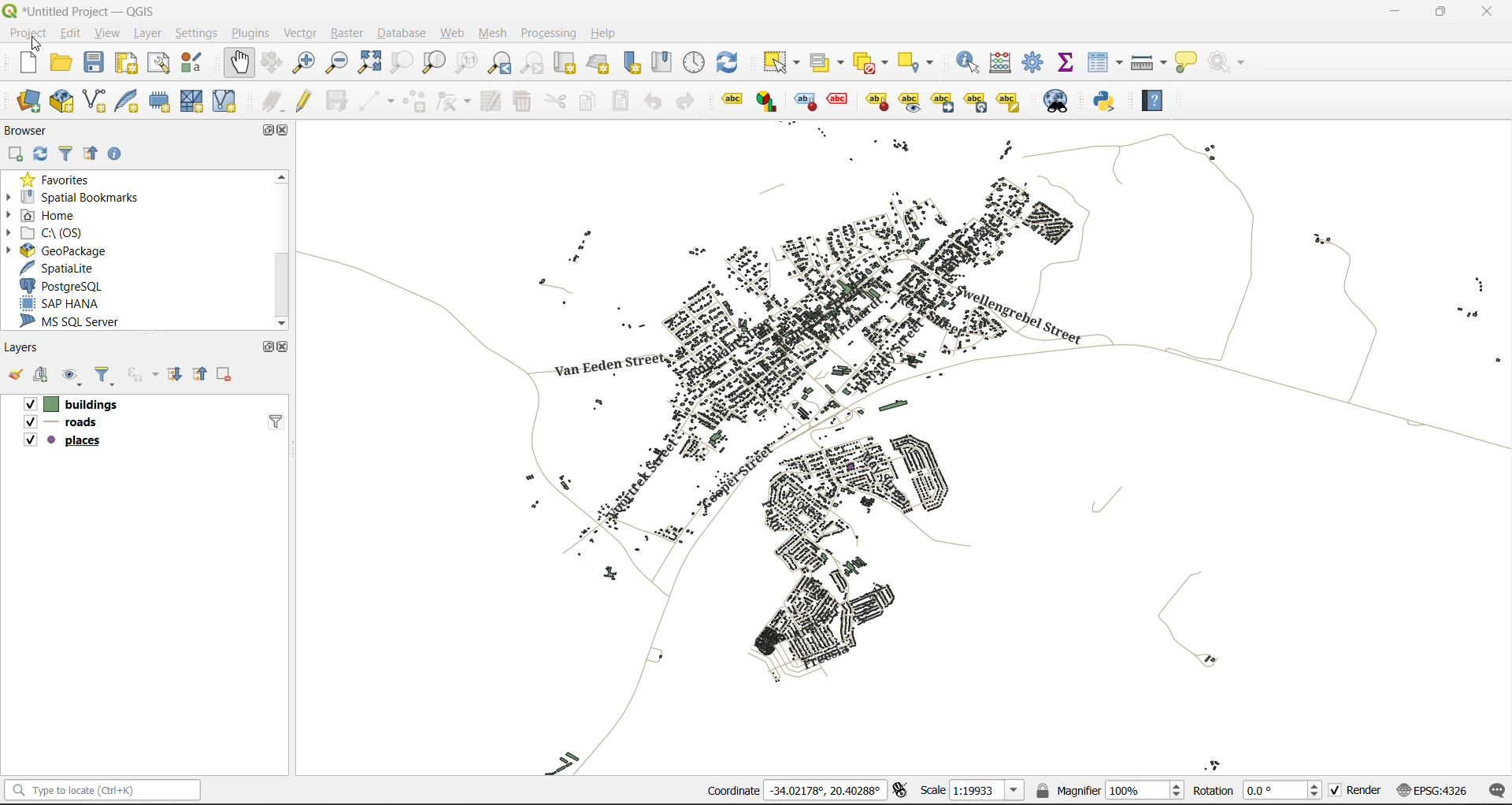 The height and width of the screenshot is (805, 1512). What do you see at coordinates (67, 32) in the screenshot?
I see `edit` at bounding box center [67, 32].